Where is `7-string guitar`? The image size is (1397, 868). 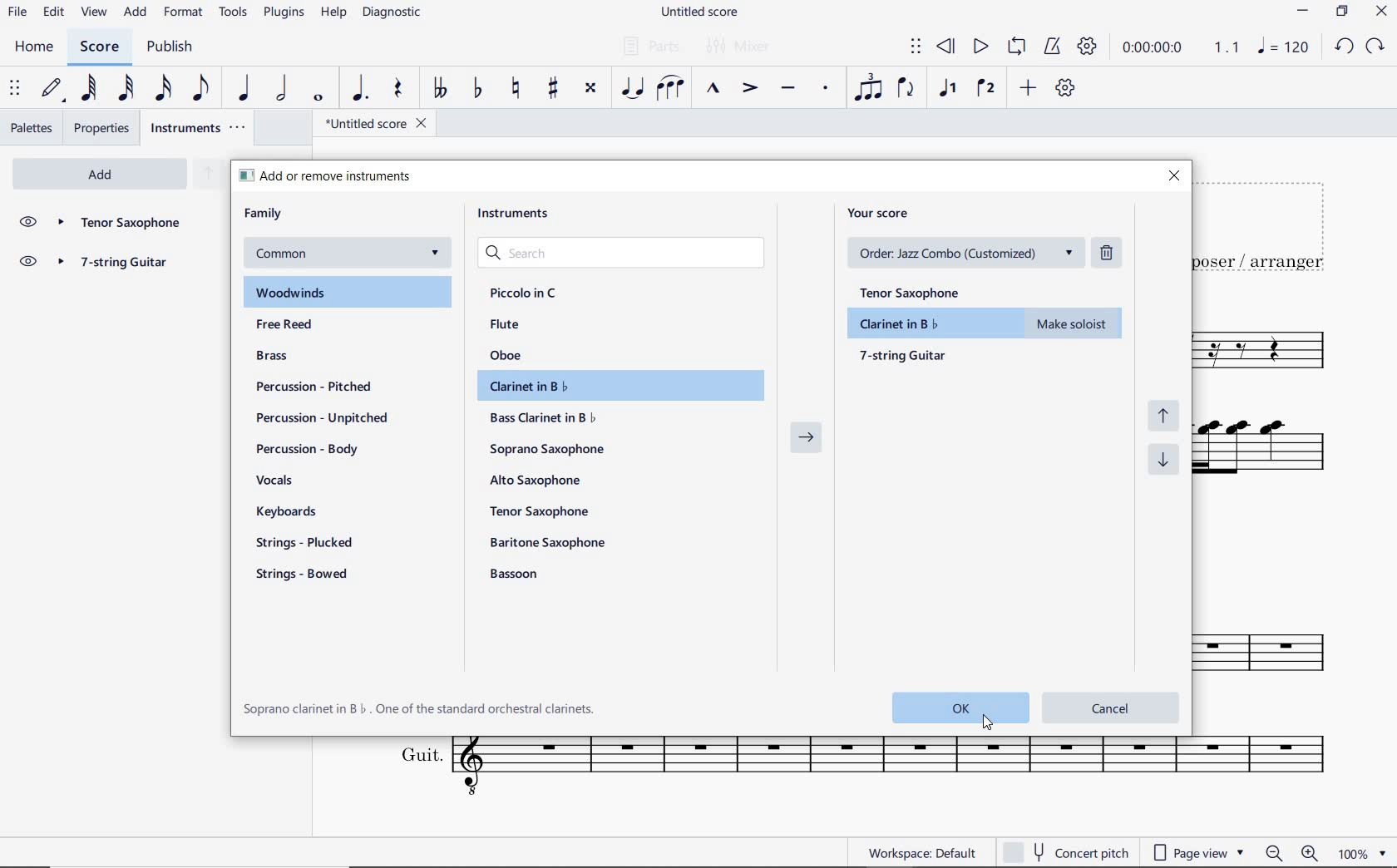
7-string guitar is located at coordinates (905, 355).